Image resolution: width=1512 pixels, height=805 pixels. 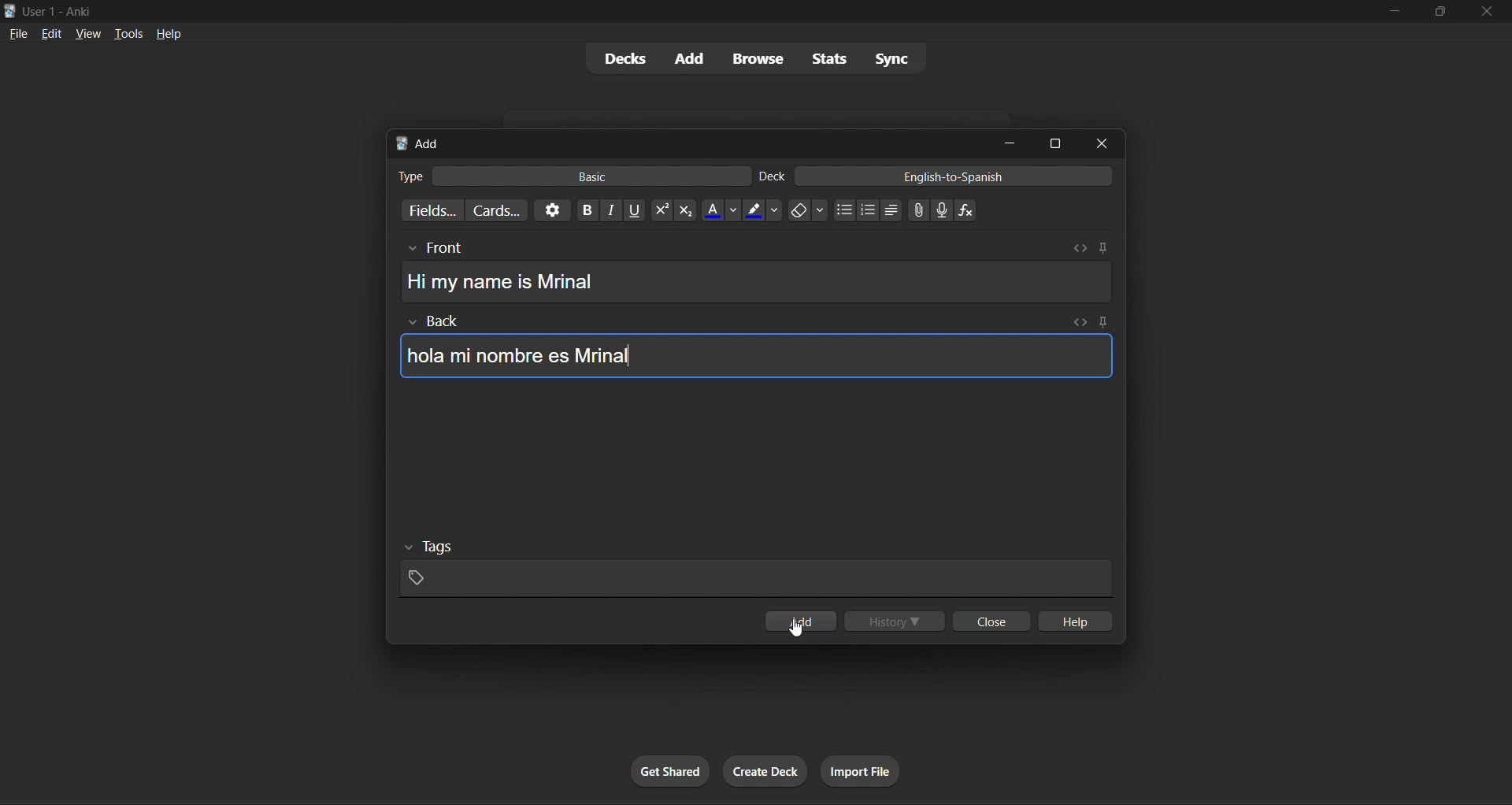 I want to click on create deck, so click(x=762, y=769).